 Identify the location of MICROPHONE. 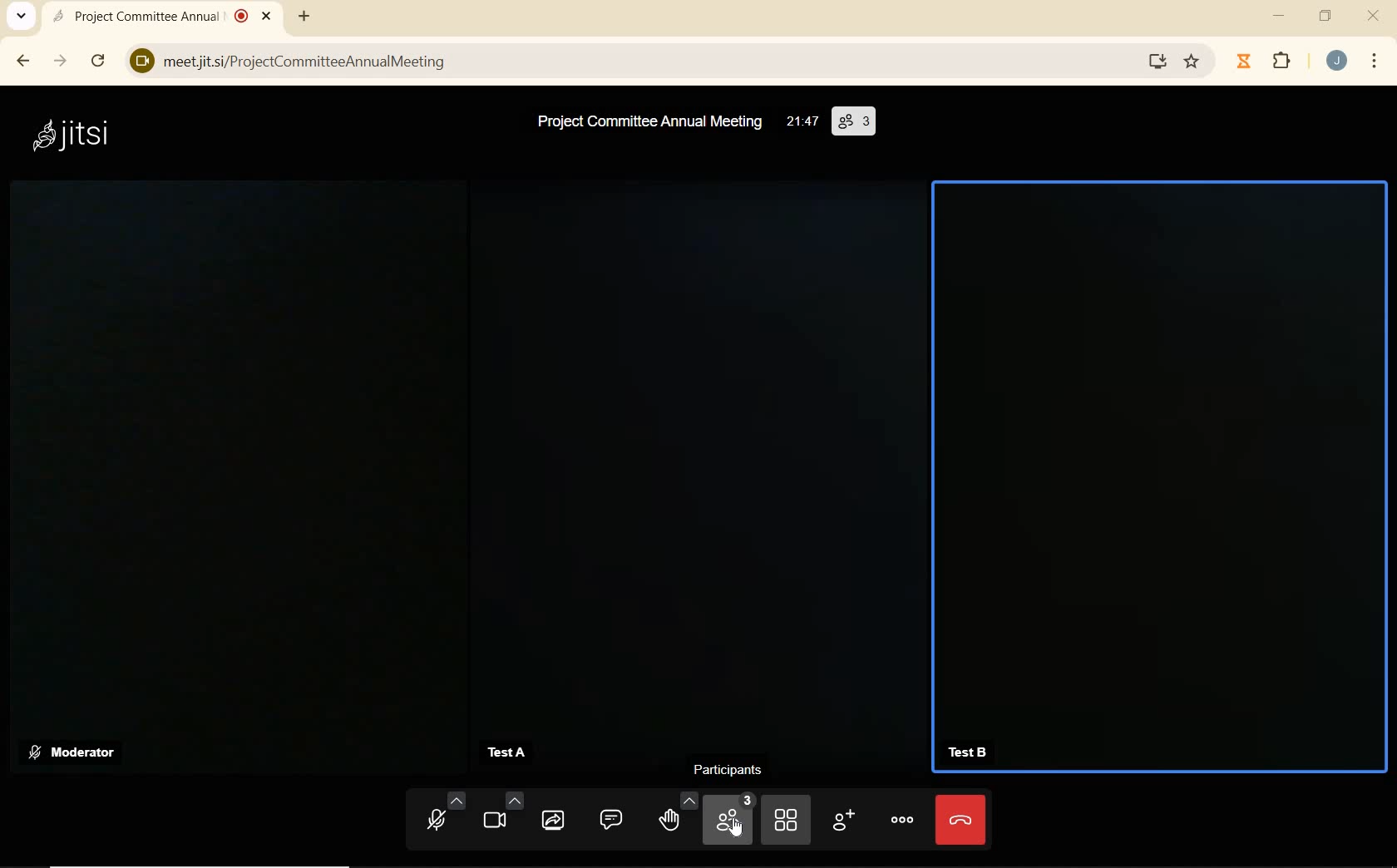
(443, 813).